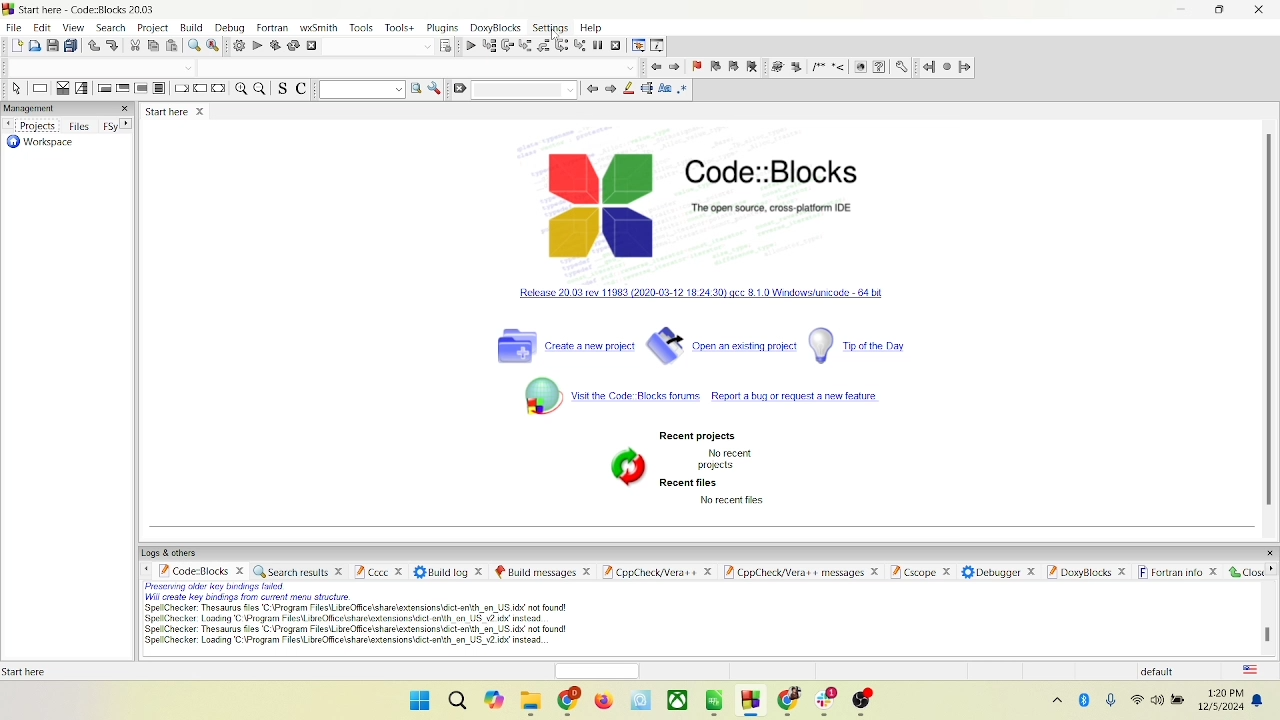 This screenshot has height=720, width=1280. What do you see at coordinates (550, 28) in the screenshot?
I see `setting` at bounding box center [550, 28].